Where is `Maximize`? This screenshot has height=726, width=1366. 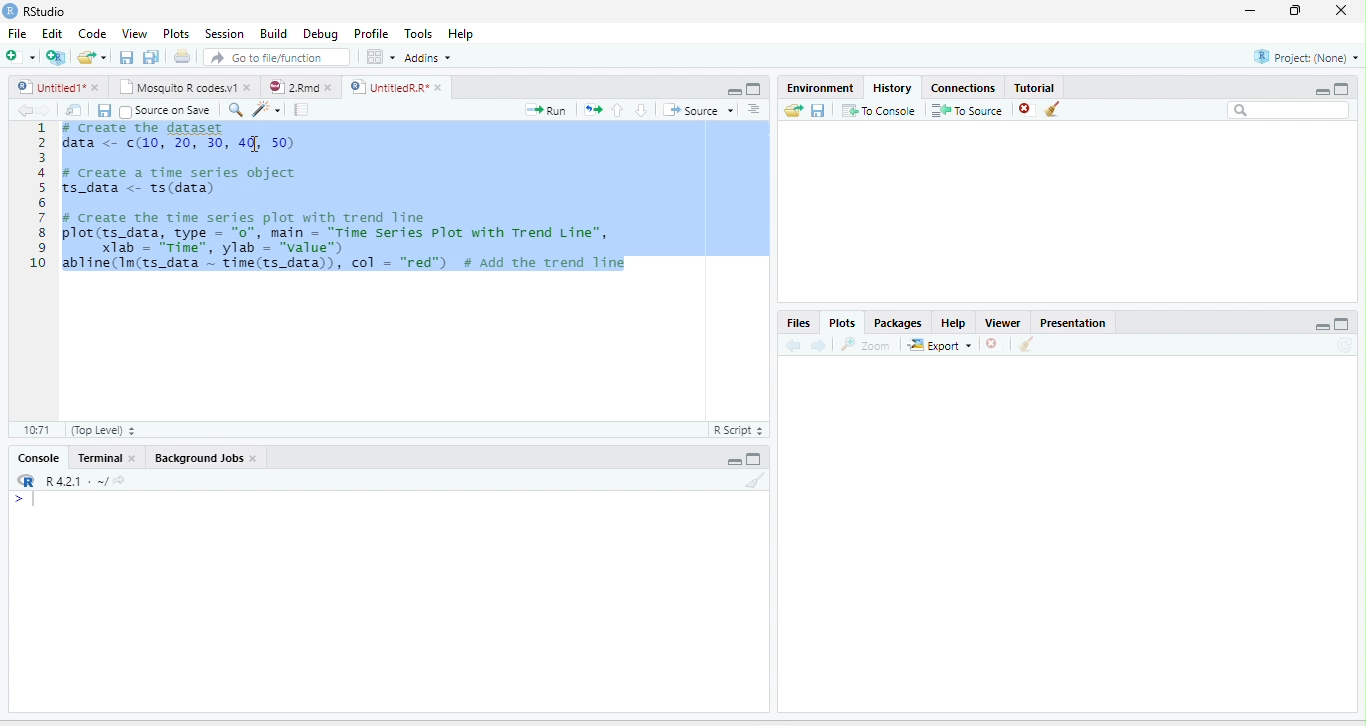 Maximize is located at coordinates (755, 459).